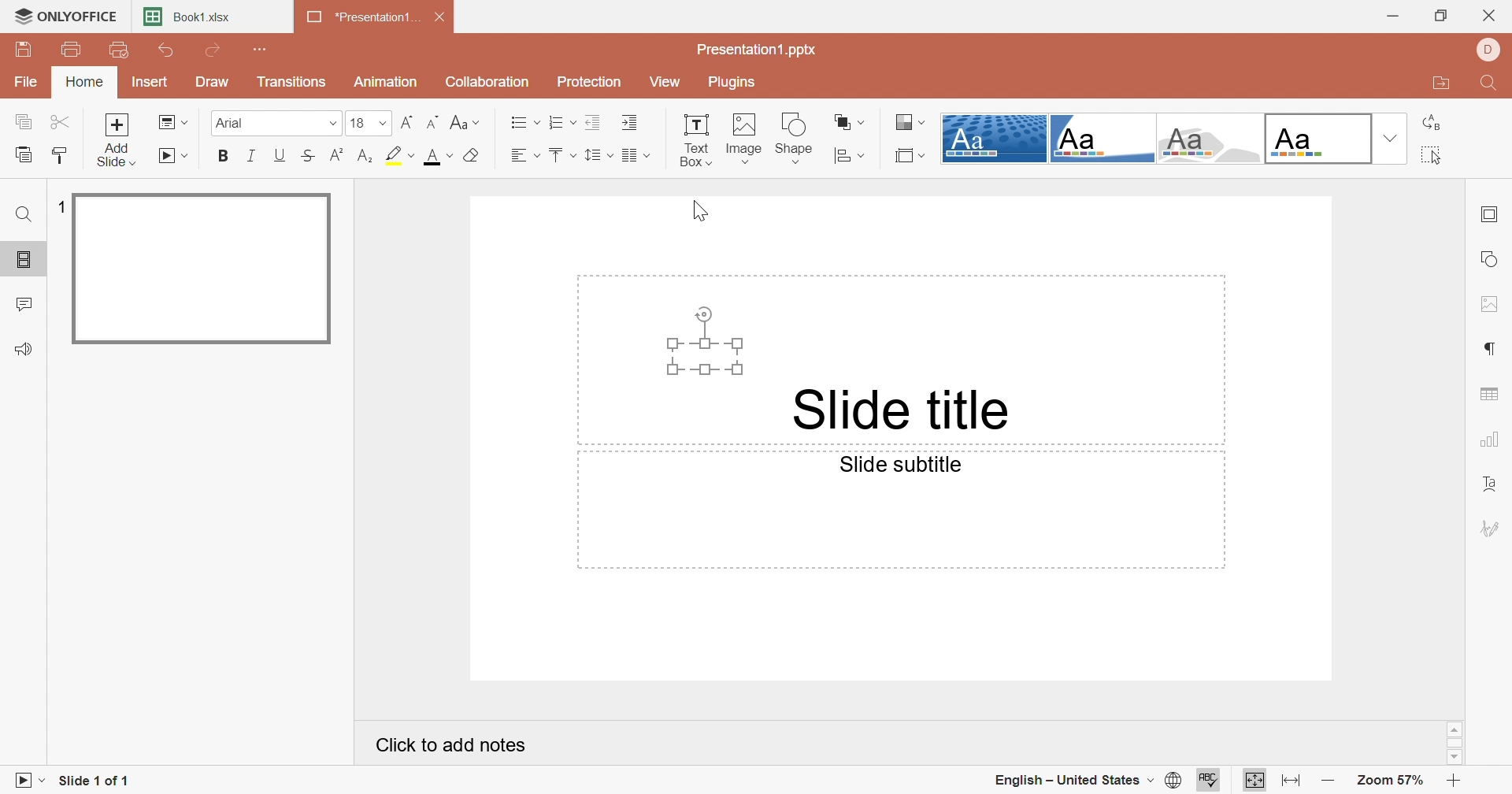 The width and height of the screenshot is (1512, 794). What do you see at coordinates (634, 155) in the screenshot?
I see `Insert columns` at bounding box center [634, 155].